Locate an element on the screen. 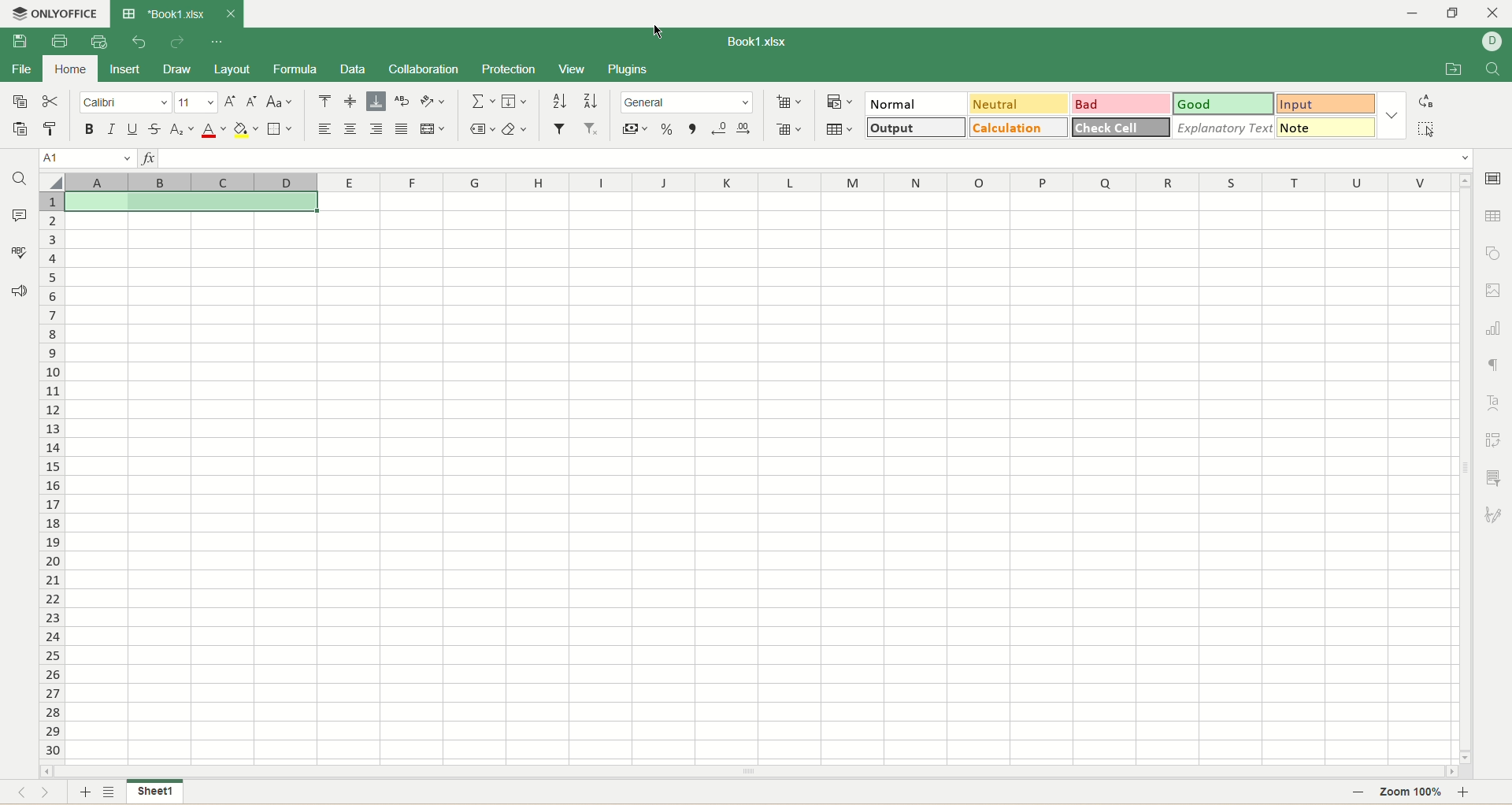  next is located at coordinates (53, 794).